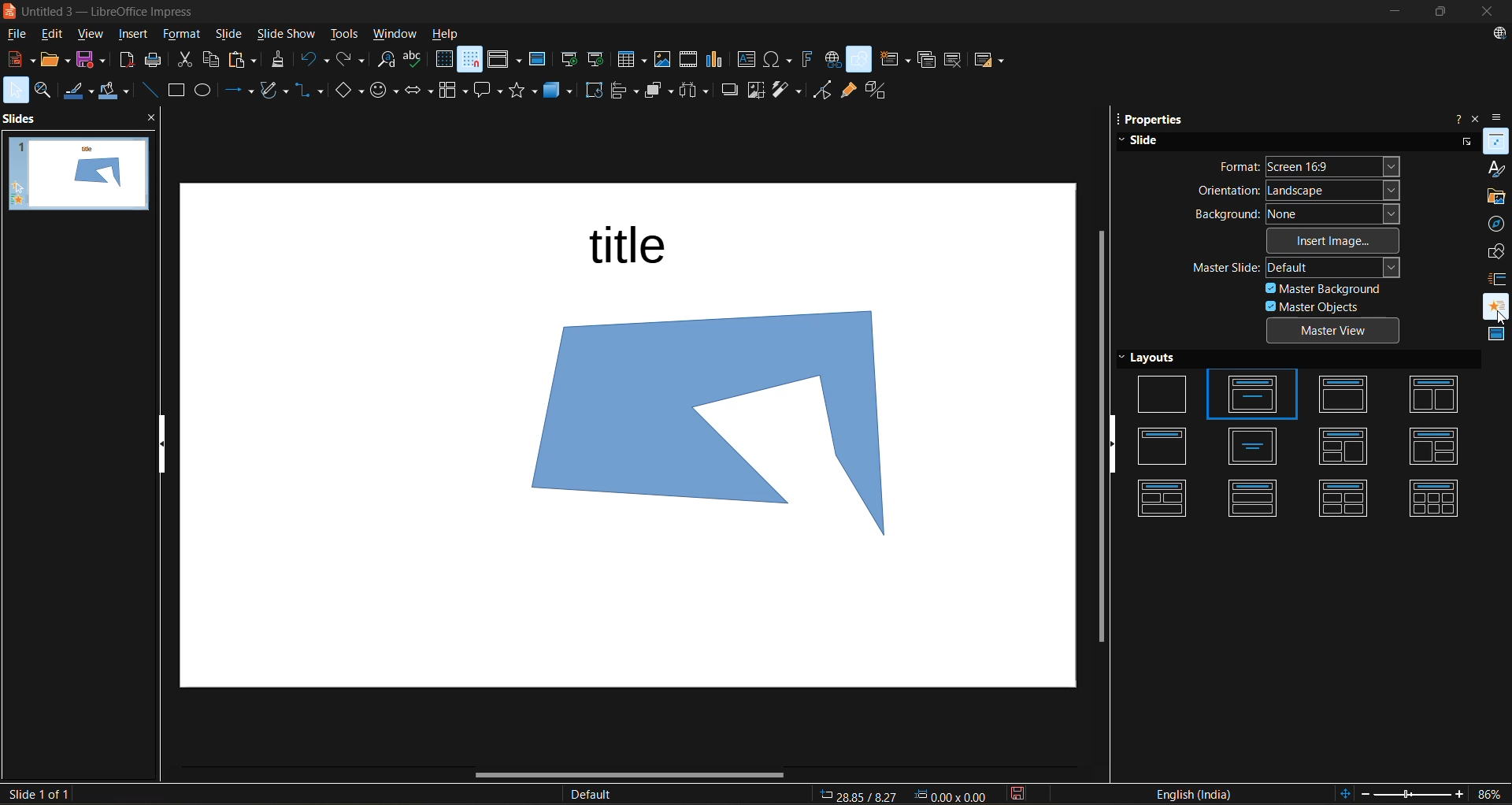  What do you see at coordinates (1116, 443) in the screenshot?
I see `hide` at bounding box center [1116, 443].